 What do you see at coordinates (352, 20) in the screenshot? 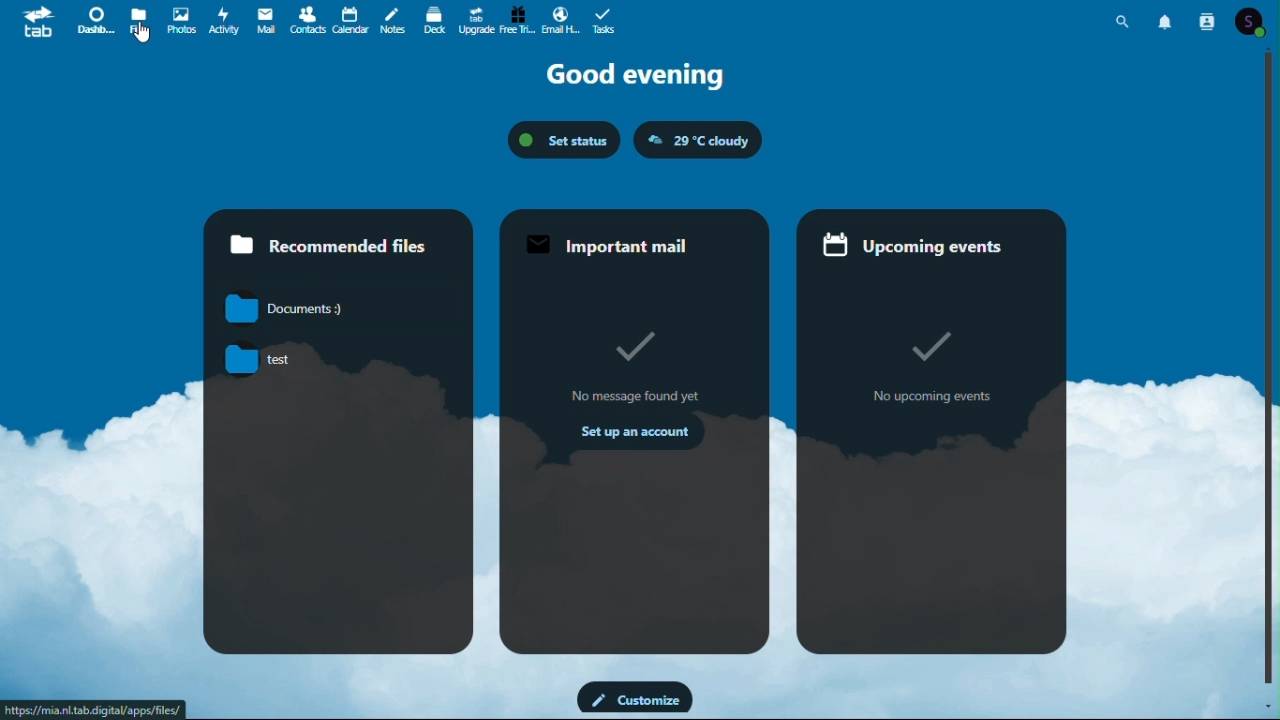
I see `calendar` at bounding box center [352, 20].